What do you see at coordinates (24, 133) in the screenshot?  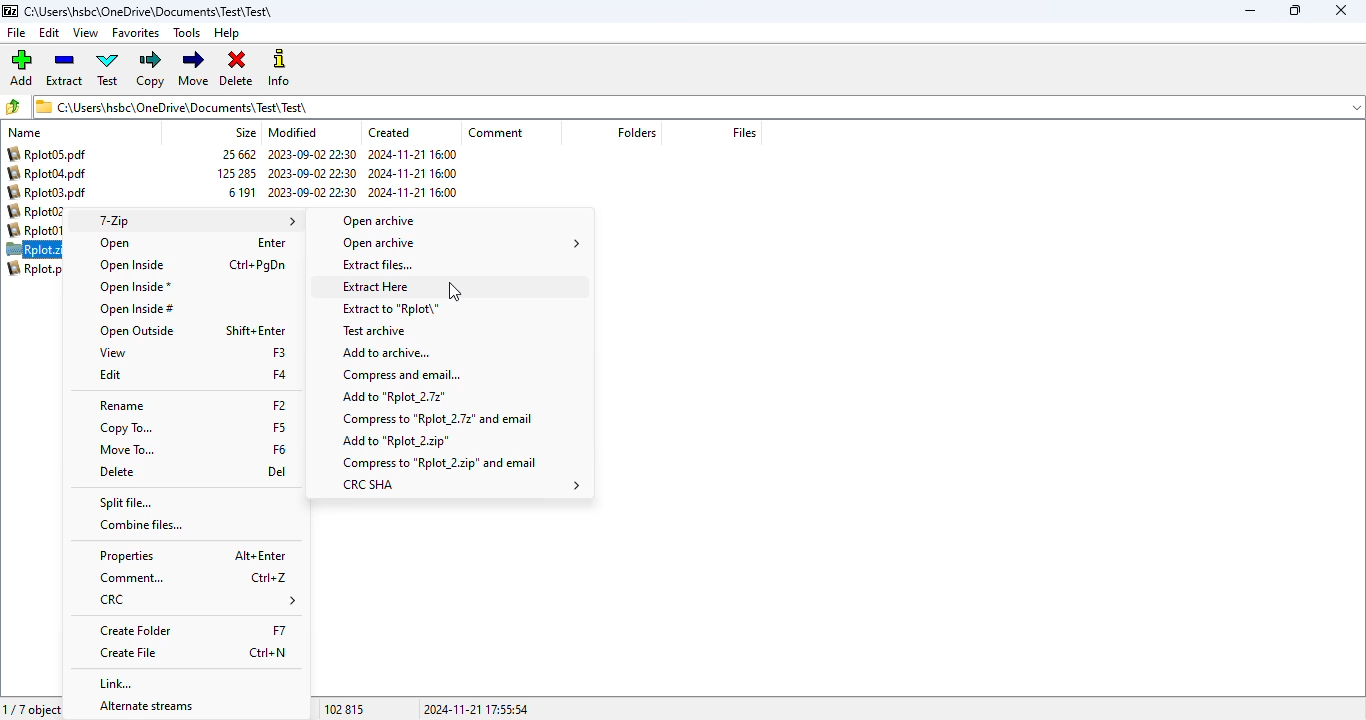 I see `name` at bounding box center [24, 133].